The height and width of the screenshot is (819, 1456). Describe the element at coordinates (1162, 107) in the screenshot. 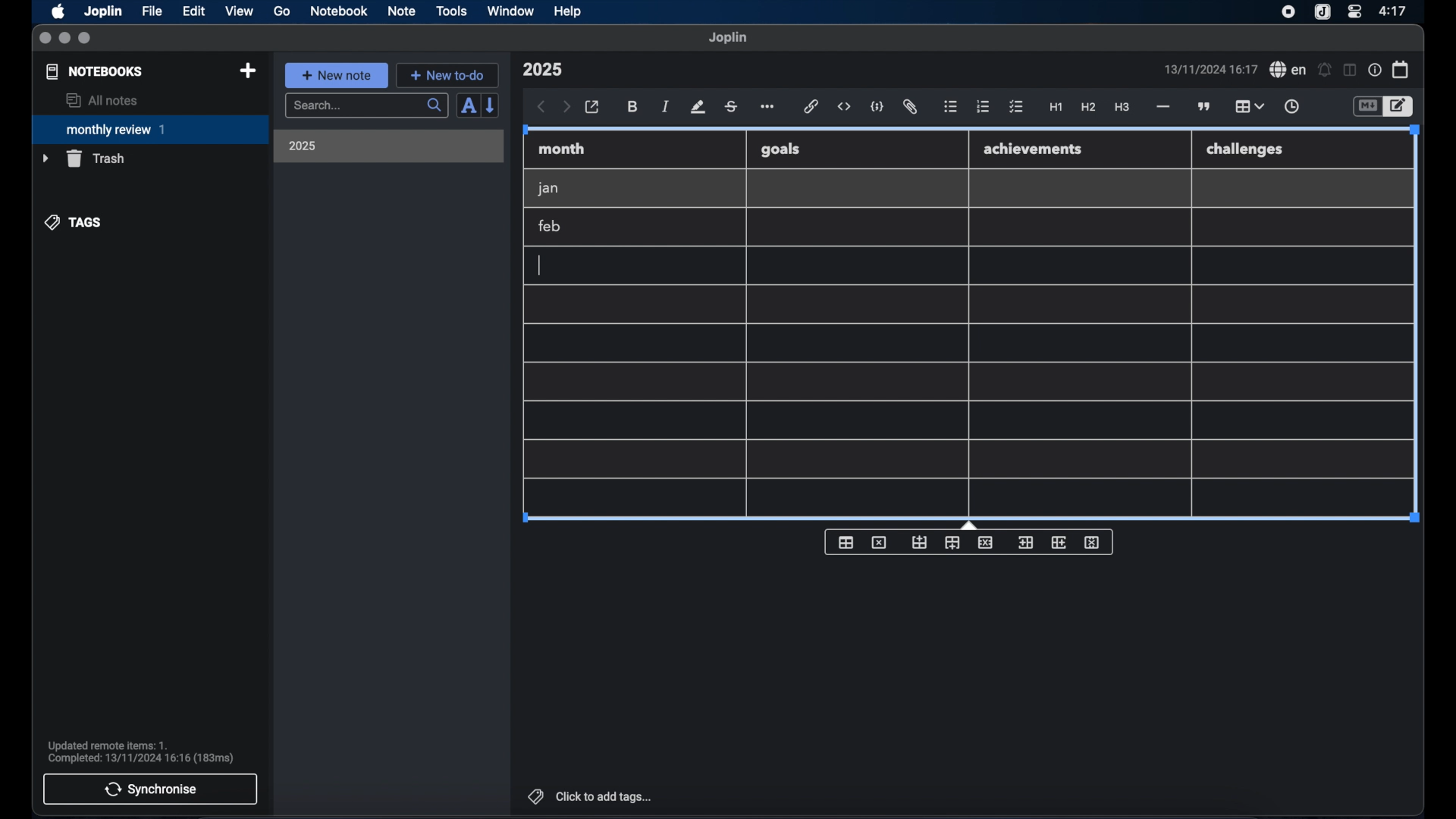

I see `horizontal rule` at that location.